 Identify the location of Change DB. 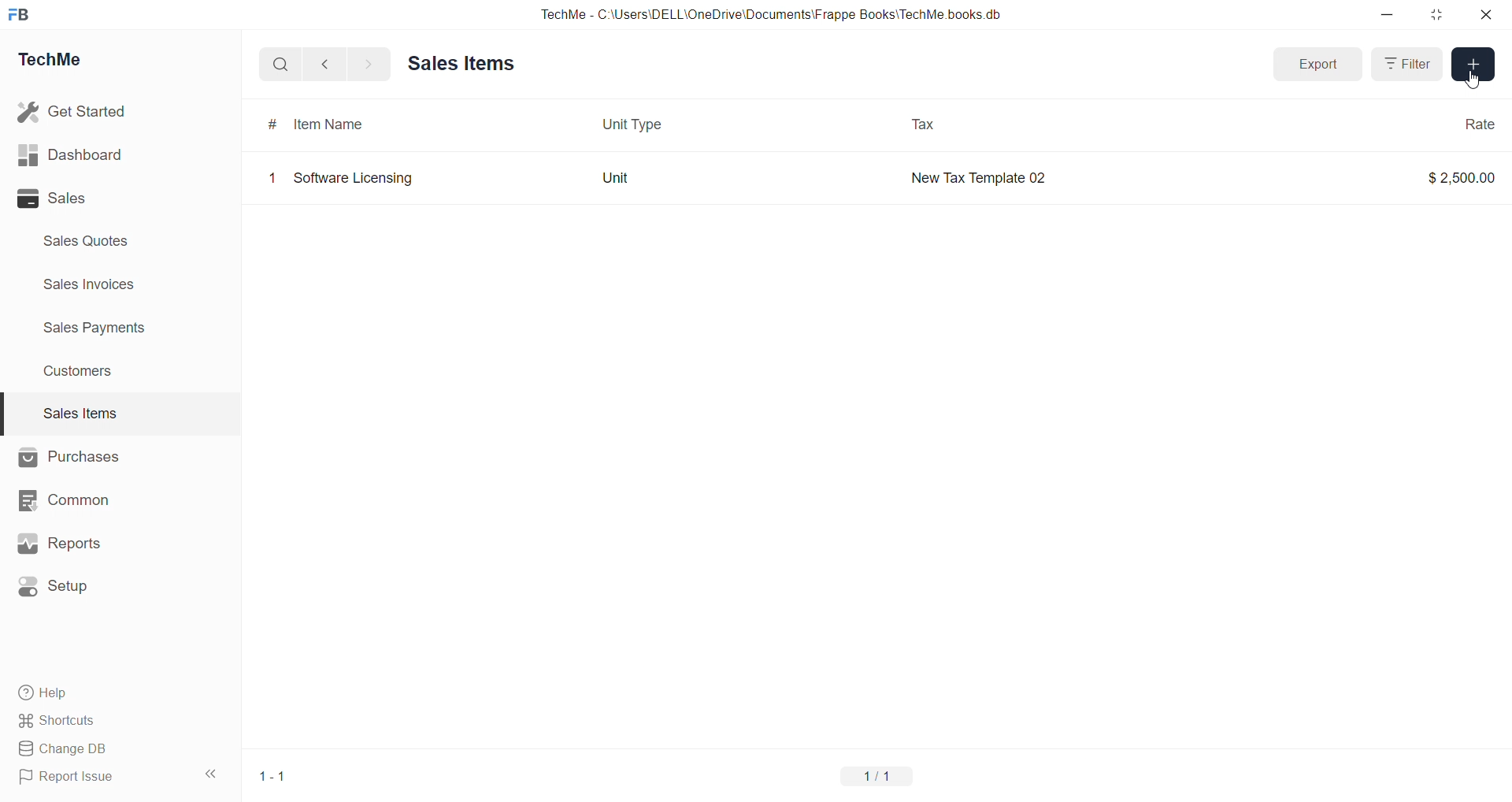
(64, 748).